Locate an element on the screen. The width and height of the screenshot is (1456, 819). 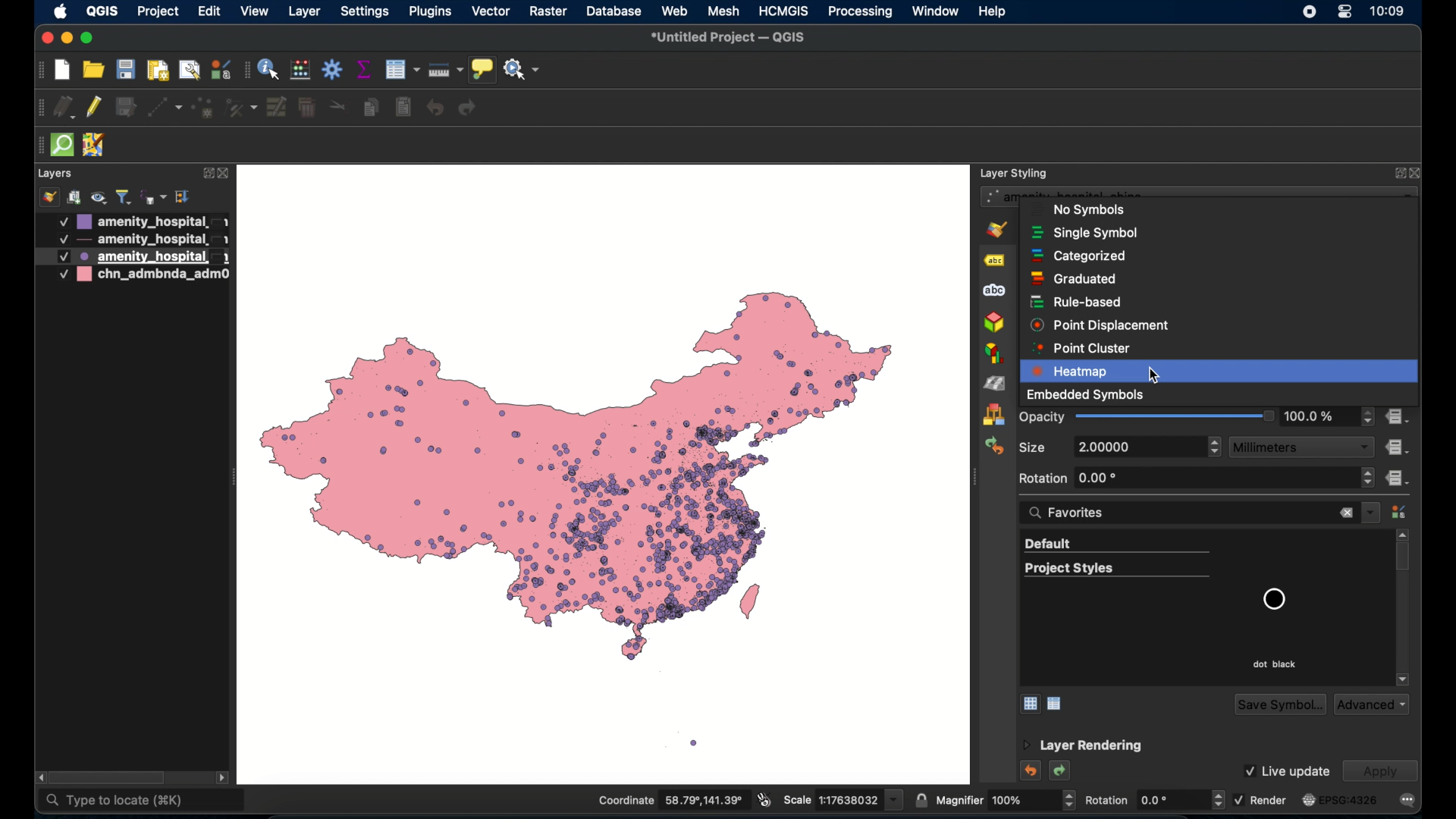
vertex tool is located at coordinates (242, 108).